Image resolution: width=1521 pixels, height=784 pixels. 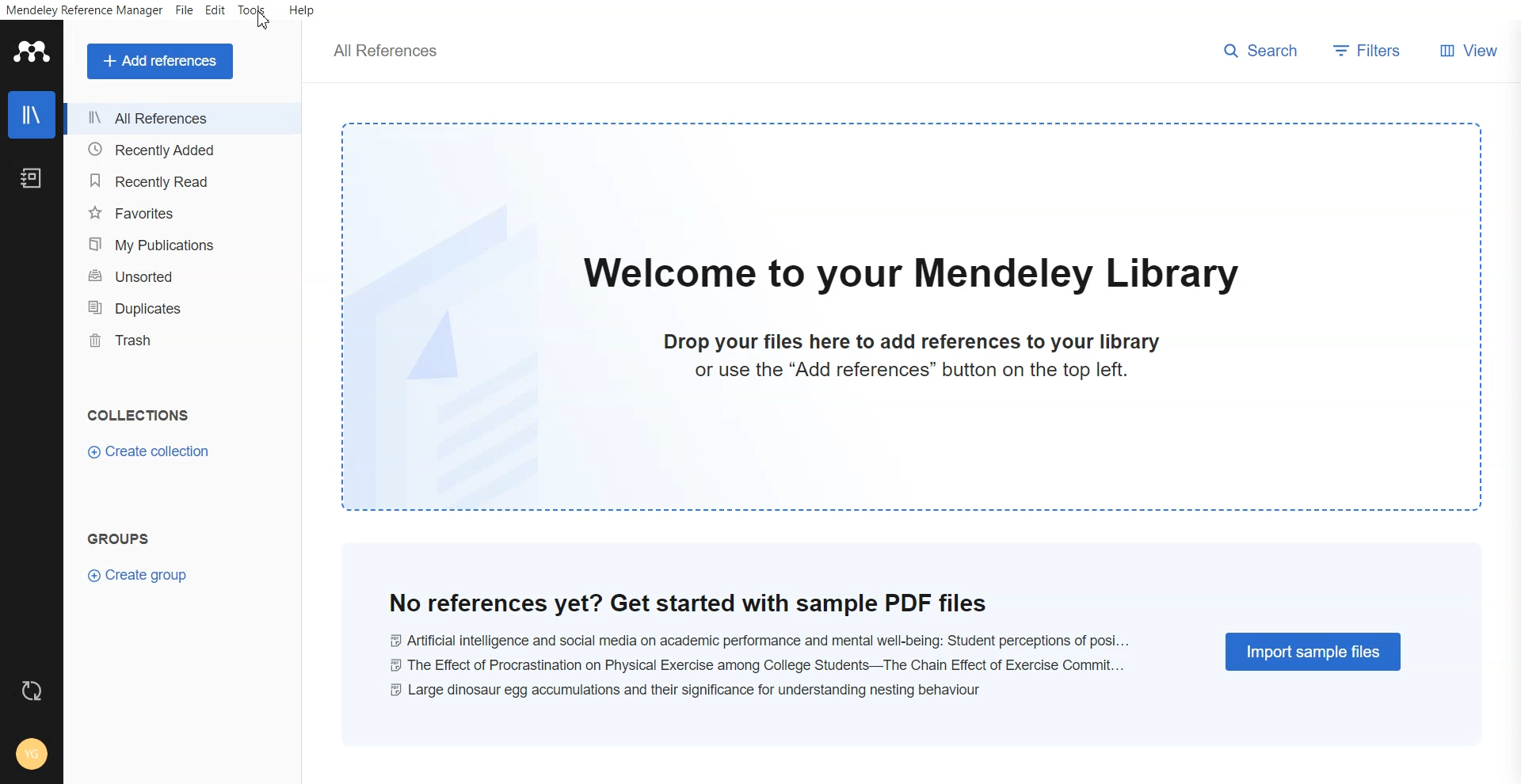 I want to click on View, so click(x=1465, y=52).